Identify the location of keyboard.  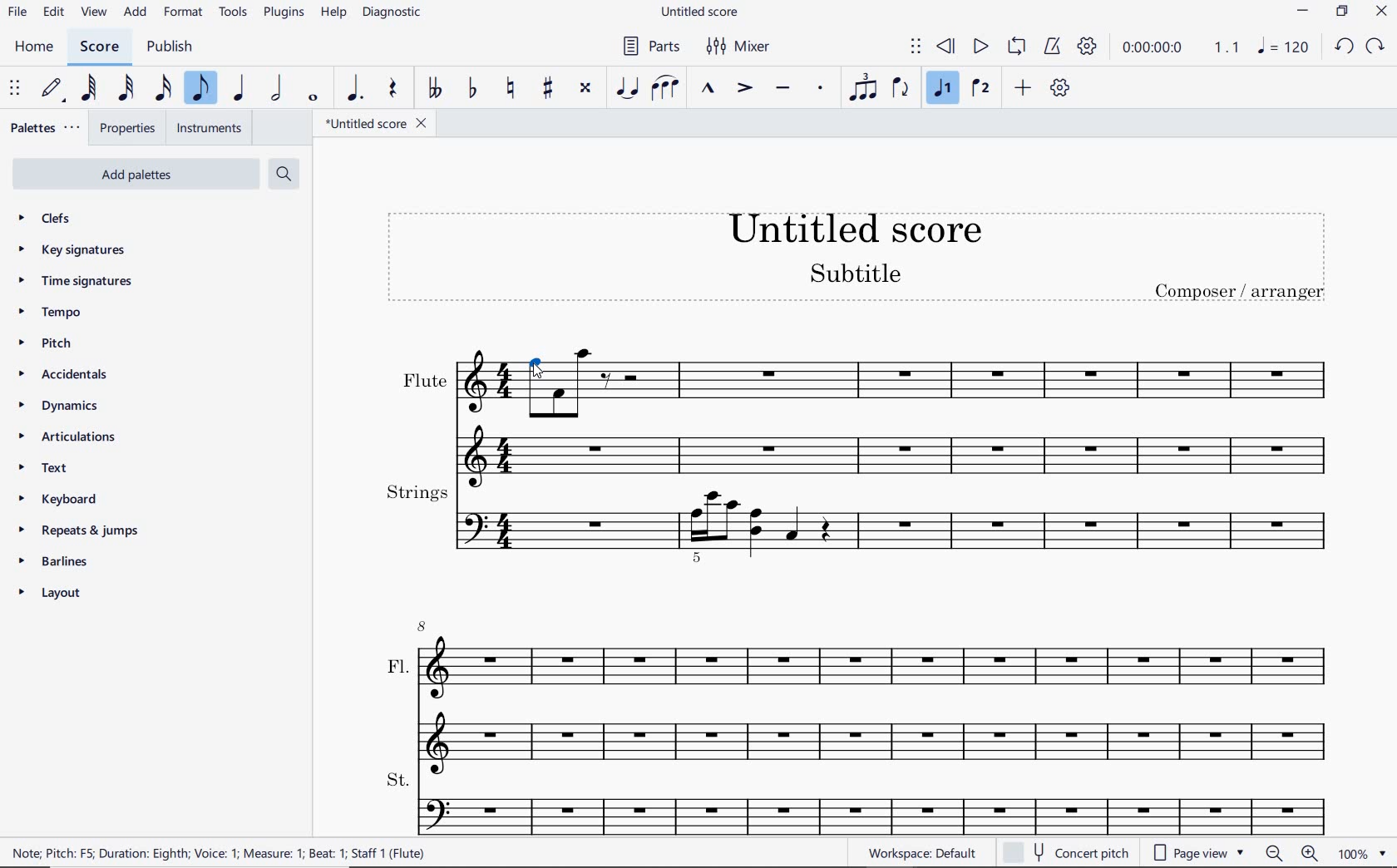
(63, 500).